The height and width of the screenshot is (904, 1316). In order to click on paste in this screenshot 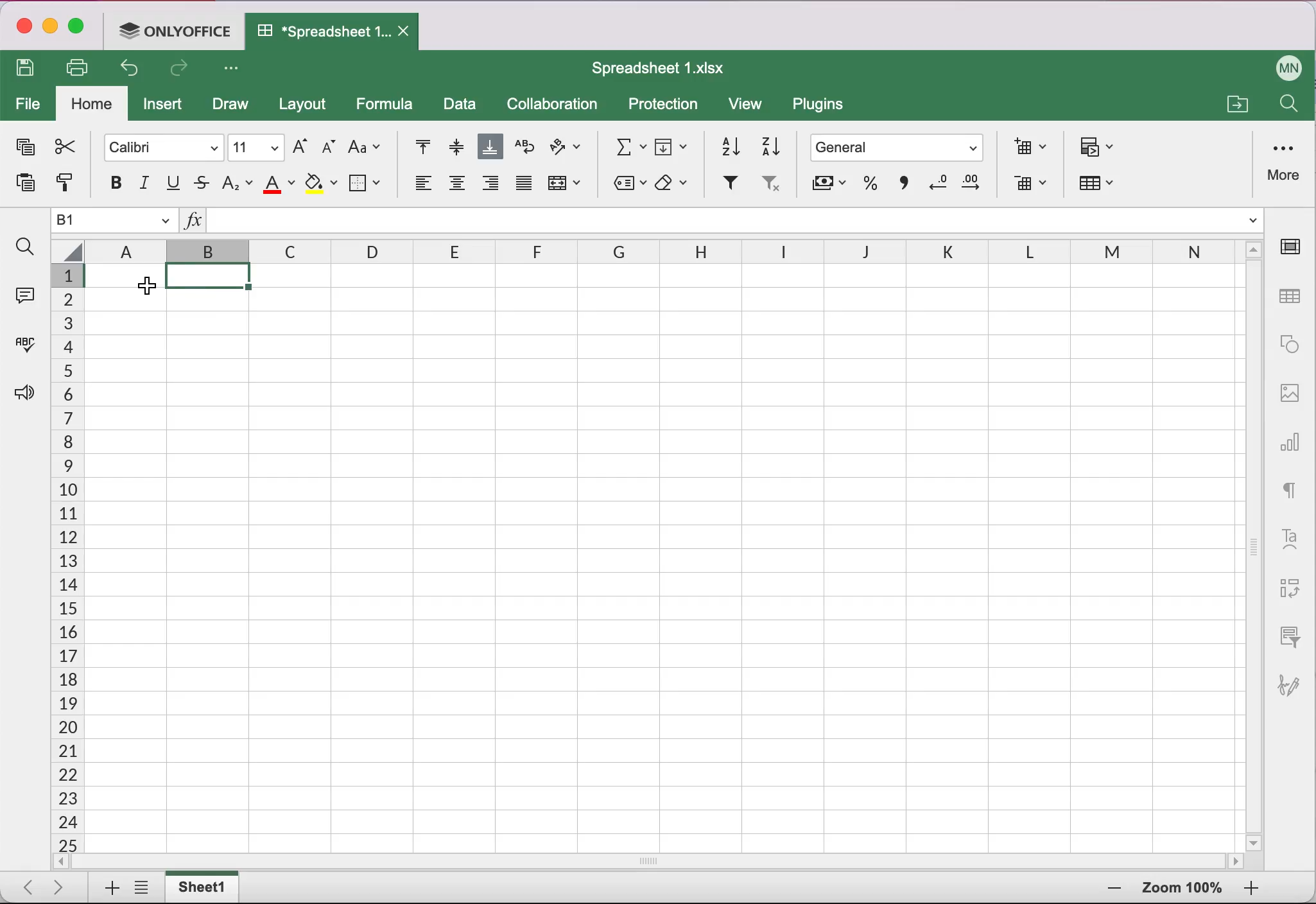, I will do `click(21, 187)`.